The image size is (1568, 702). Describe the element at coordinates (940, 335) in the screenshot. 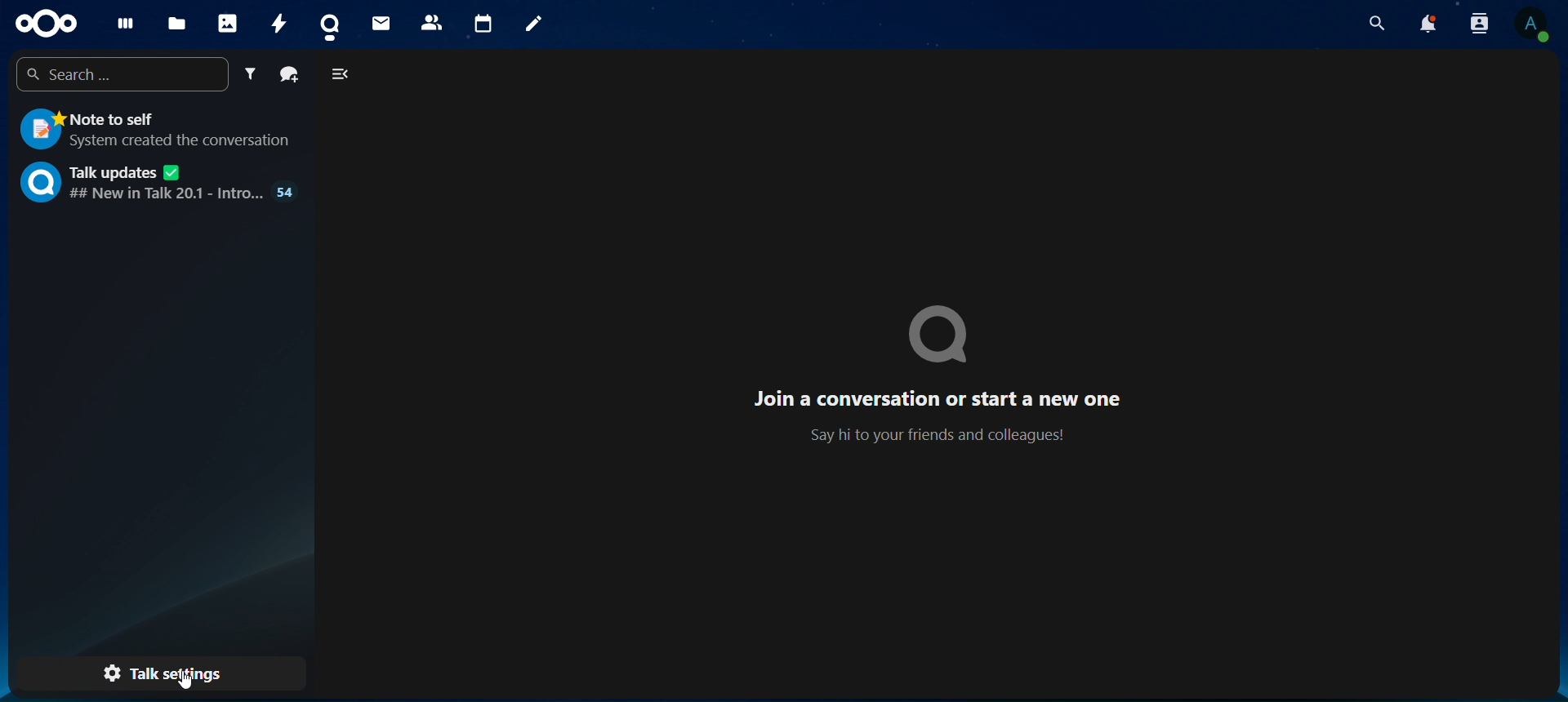

I see `logo` at that location.